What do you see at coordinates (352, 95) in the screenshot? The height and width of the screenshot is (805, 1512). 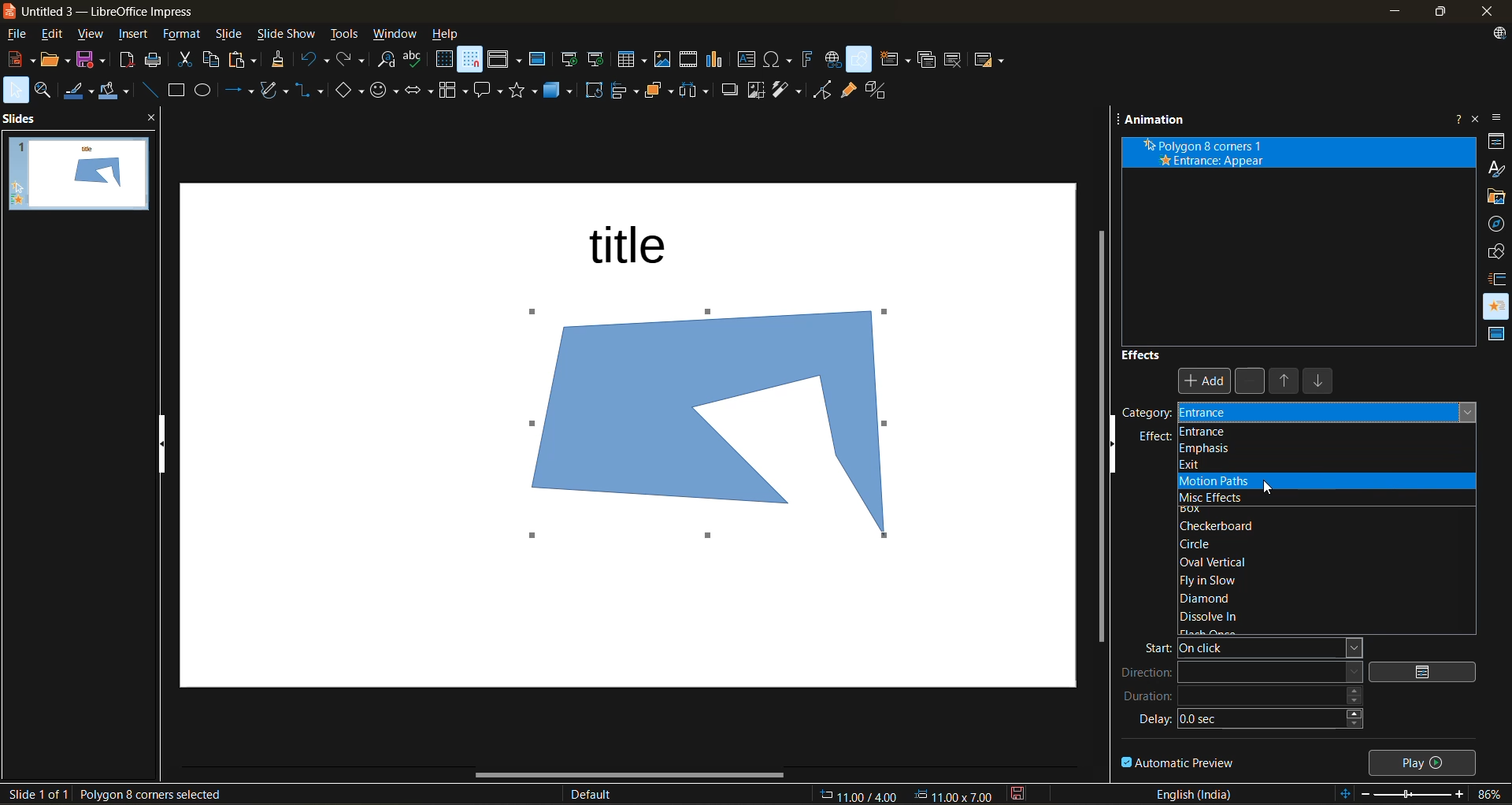 I see `basic shapes` at bounding box center [352, 95].